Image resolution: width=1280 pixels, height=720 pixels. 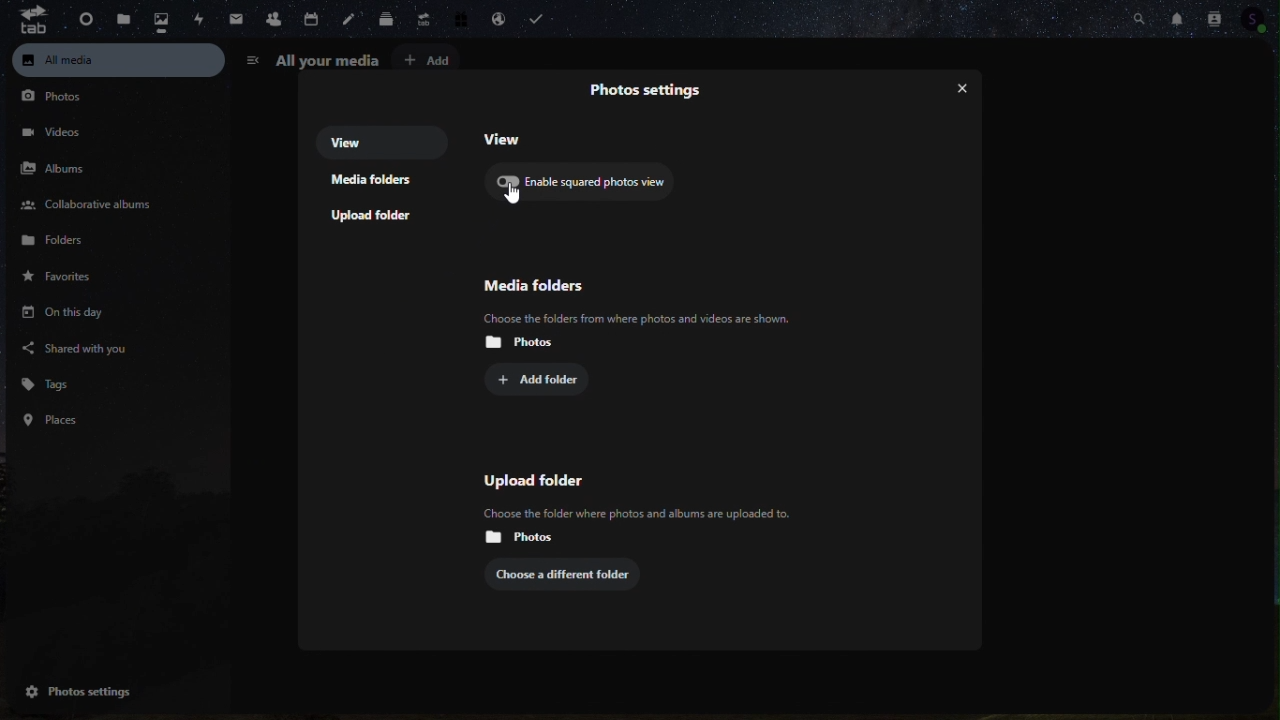 What do you see at coordinates (651, 94) in the screenshot?
I see `` at bounding box center [651, 94].